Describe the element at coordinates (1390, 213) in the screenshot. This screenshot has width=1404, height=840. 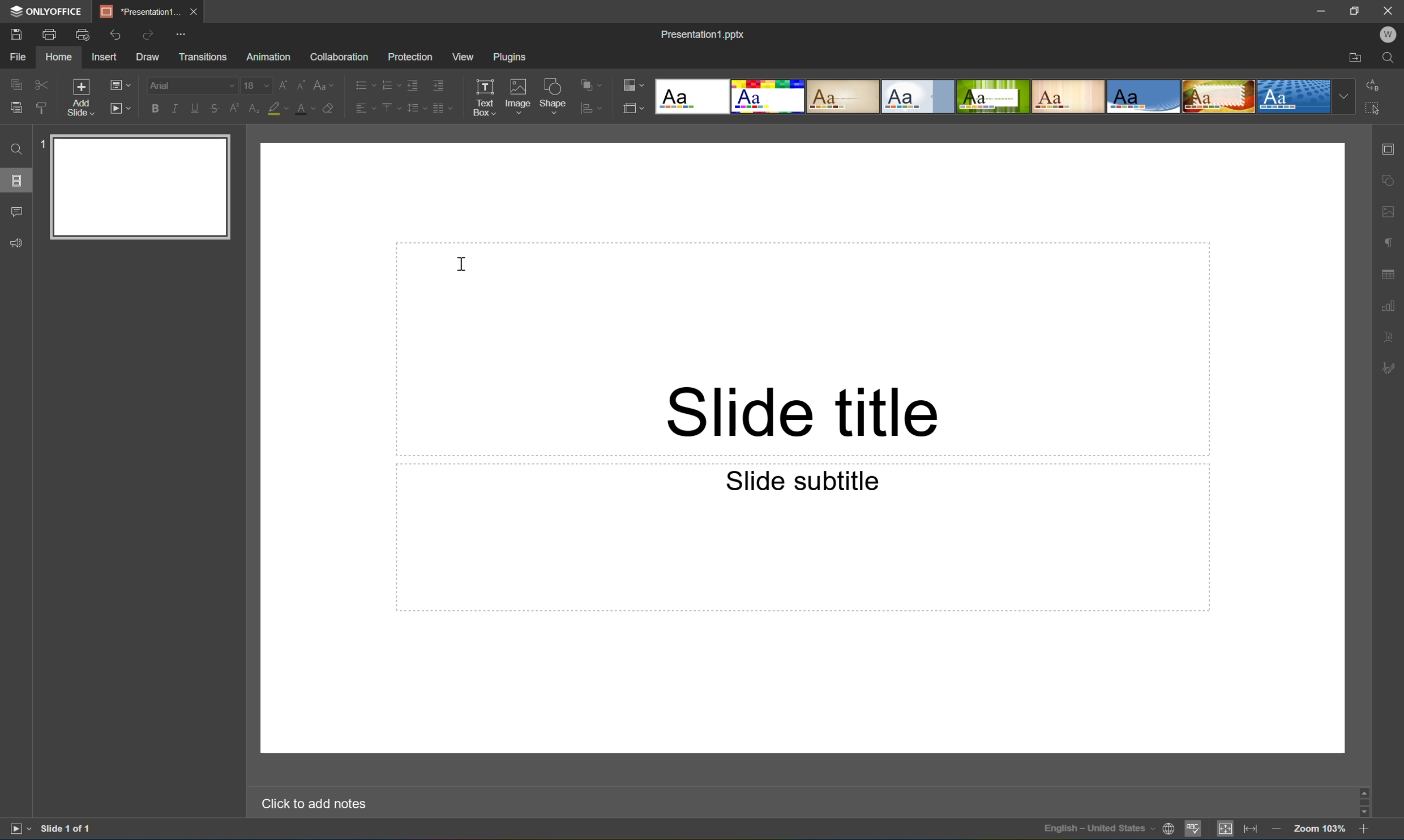
I see `Image settings` at that location.